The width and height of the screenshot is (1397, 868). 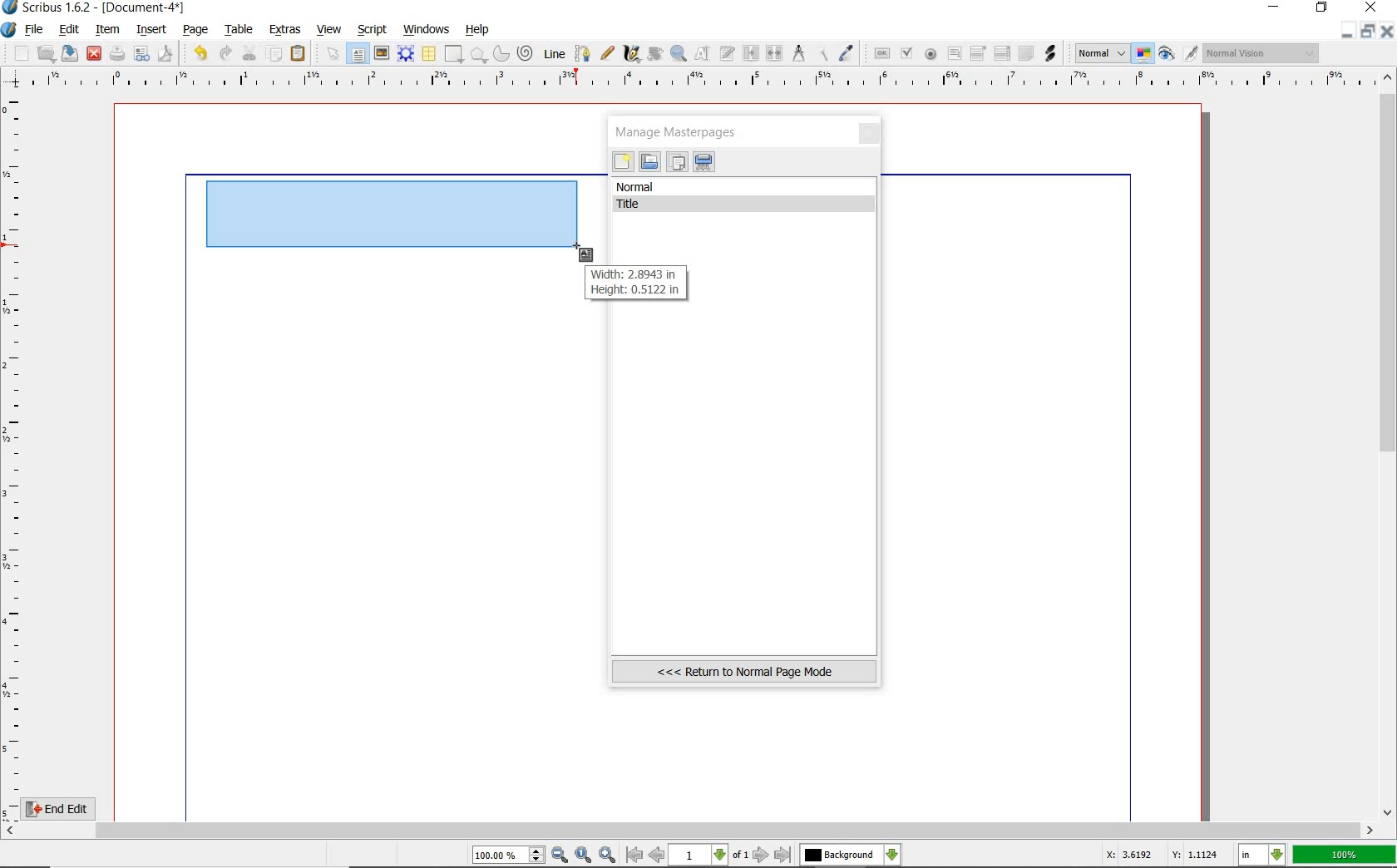 What do you see at coordinates (704, 55) in the screenshot?
I see `edit contents of frame` at bounding box center [704, 55].